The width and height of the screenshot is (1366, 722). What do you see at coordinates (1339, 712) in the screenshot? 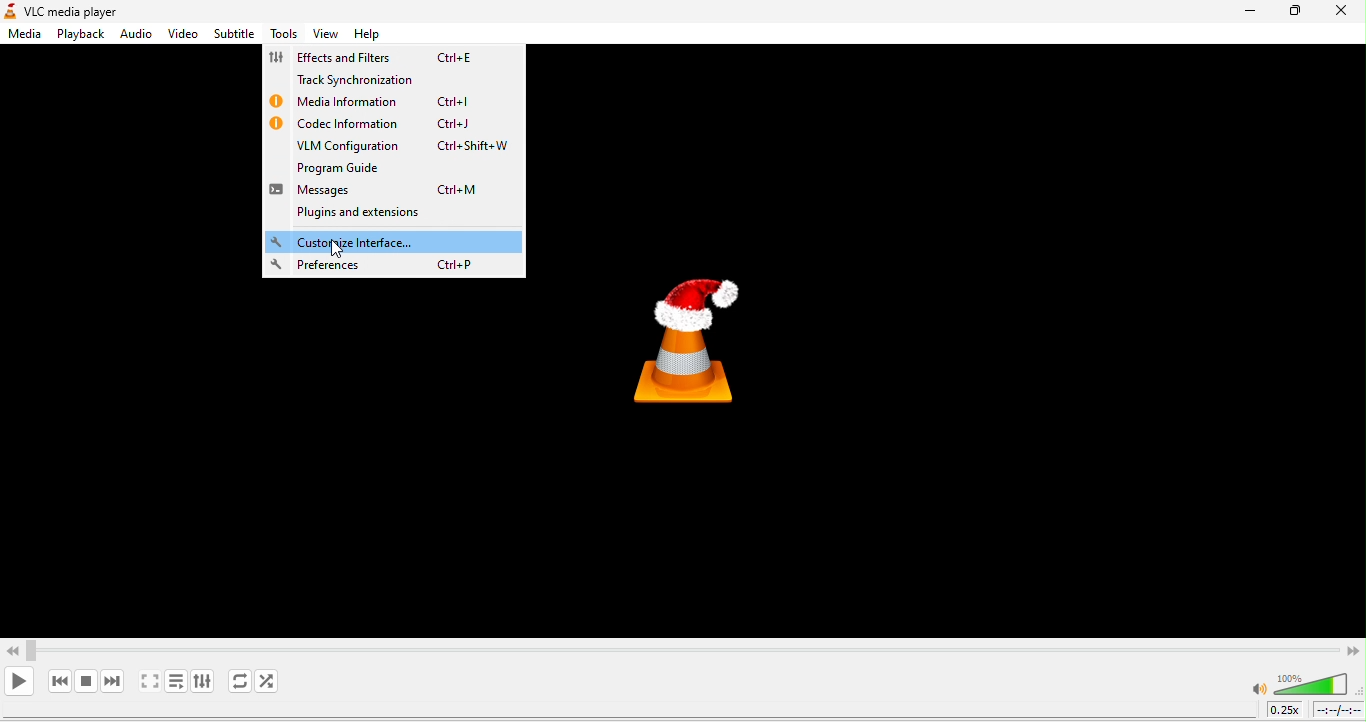
I see `timeline` at bounding box center [1339, 712].